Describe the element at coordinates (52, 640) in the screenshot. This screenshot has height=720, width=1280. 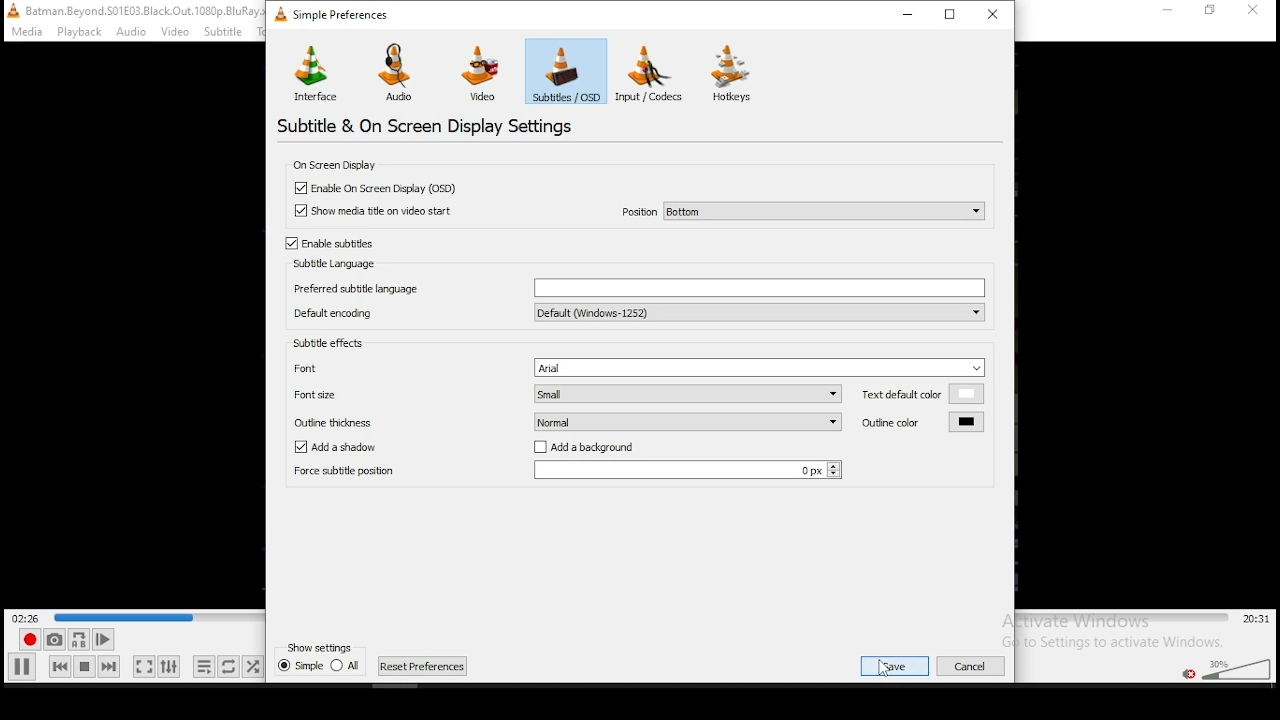
I see `take a snapshot` at that location.